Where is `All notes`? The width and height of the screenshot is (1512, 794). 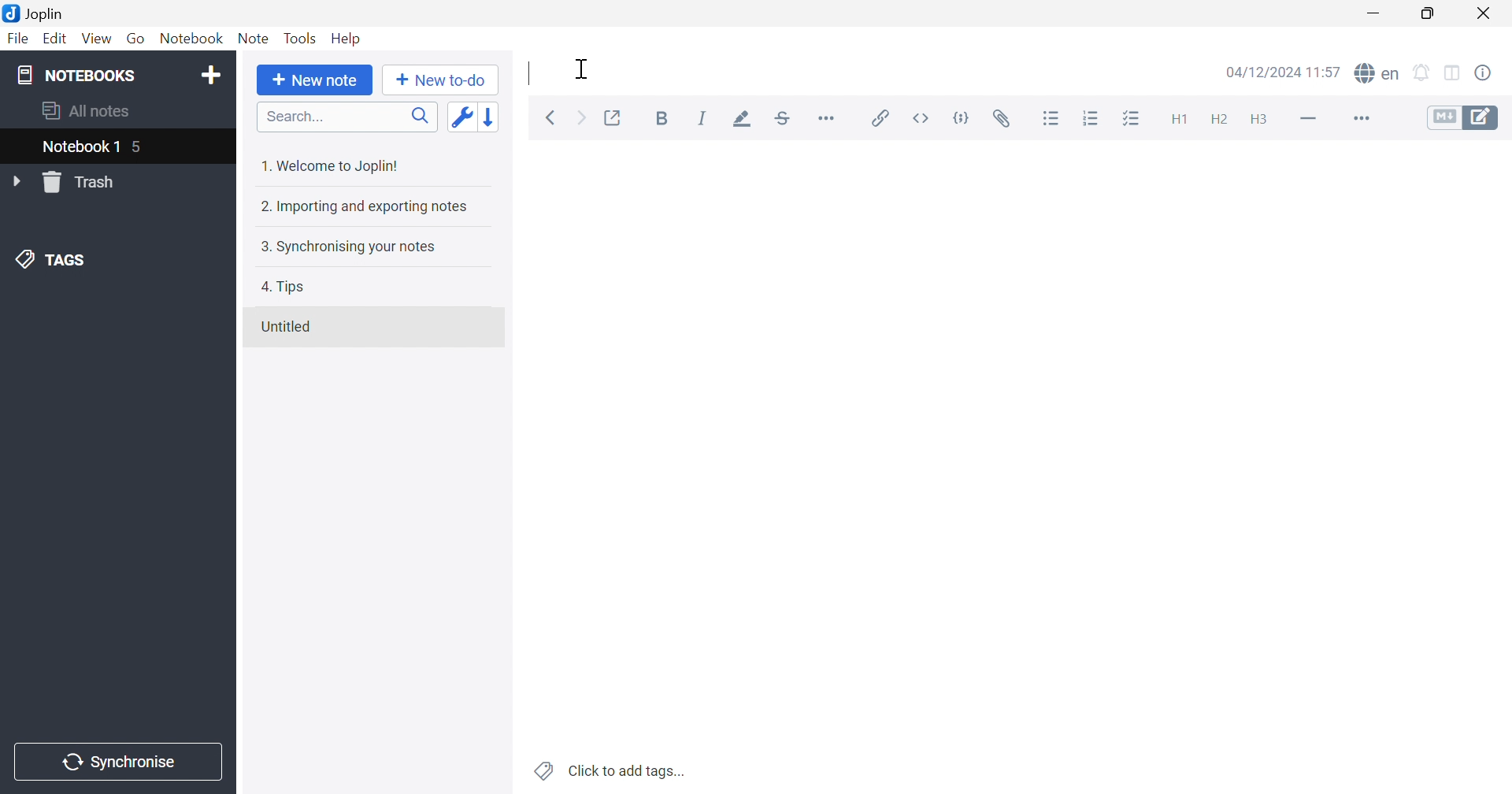
All notes is located at coordinates (89, 113).